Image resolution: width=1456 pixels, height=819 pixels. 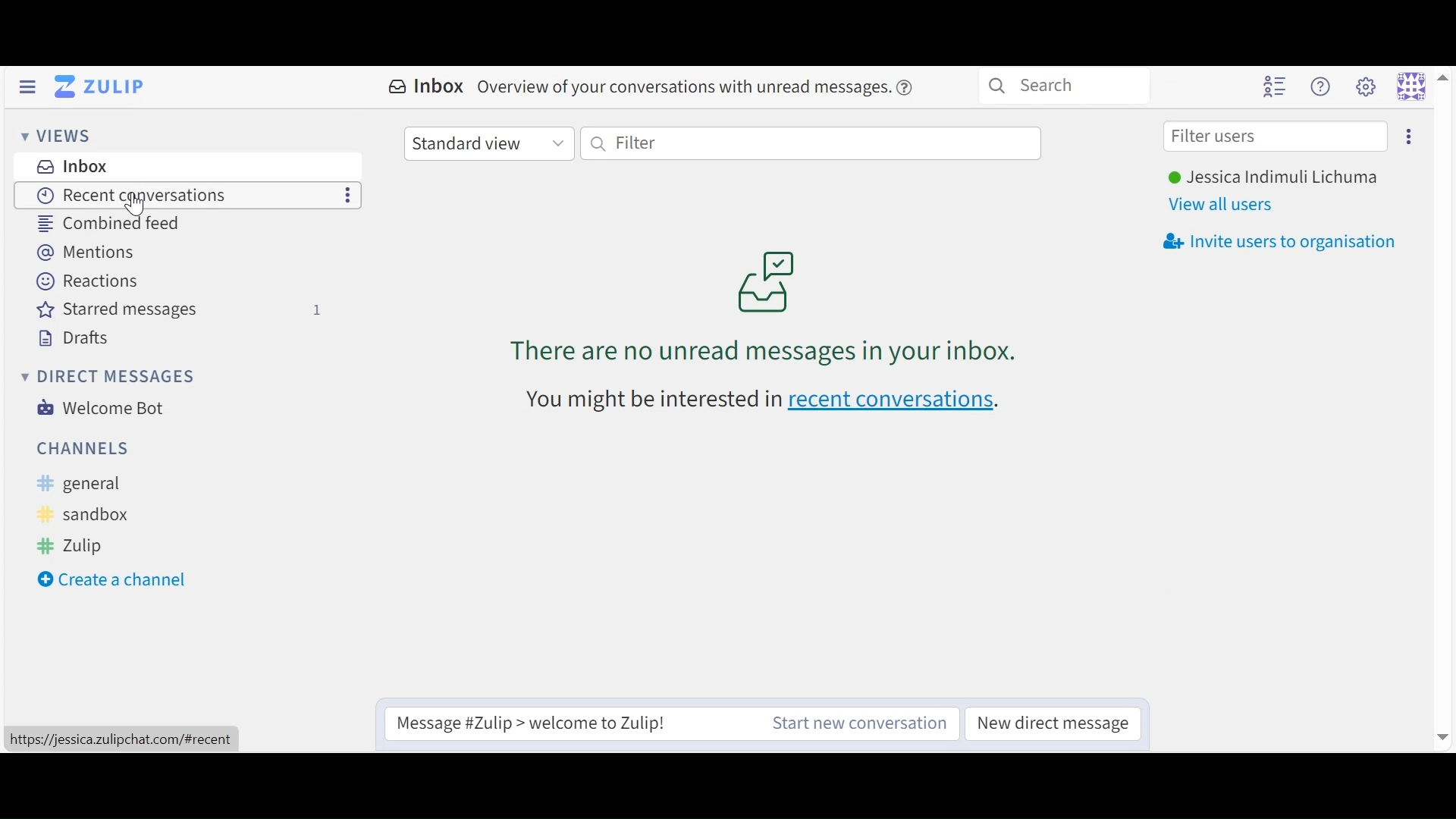 What do you see at coordinates (1323, 86) in the screenshot?
I see `Help menu` at bounding box center [1323, 86].